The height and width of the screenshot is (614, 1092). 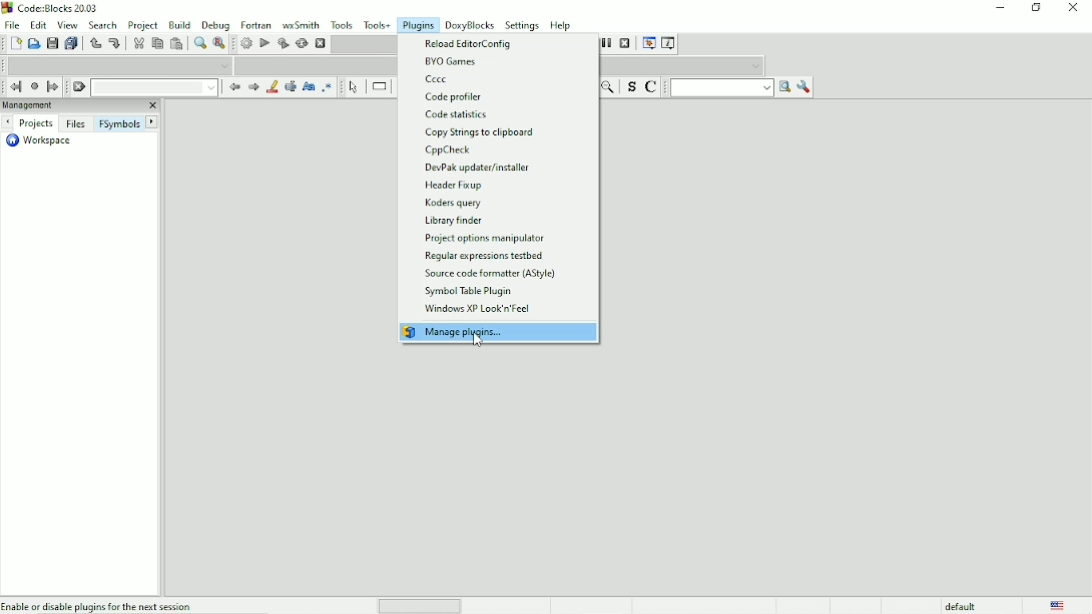 What do you see at coordinates (477, 168) in the screenshot?
I see `DevPak update/installer` at bounding box center [477, 168].